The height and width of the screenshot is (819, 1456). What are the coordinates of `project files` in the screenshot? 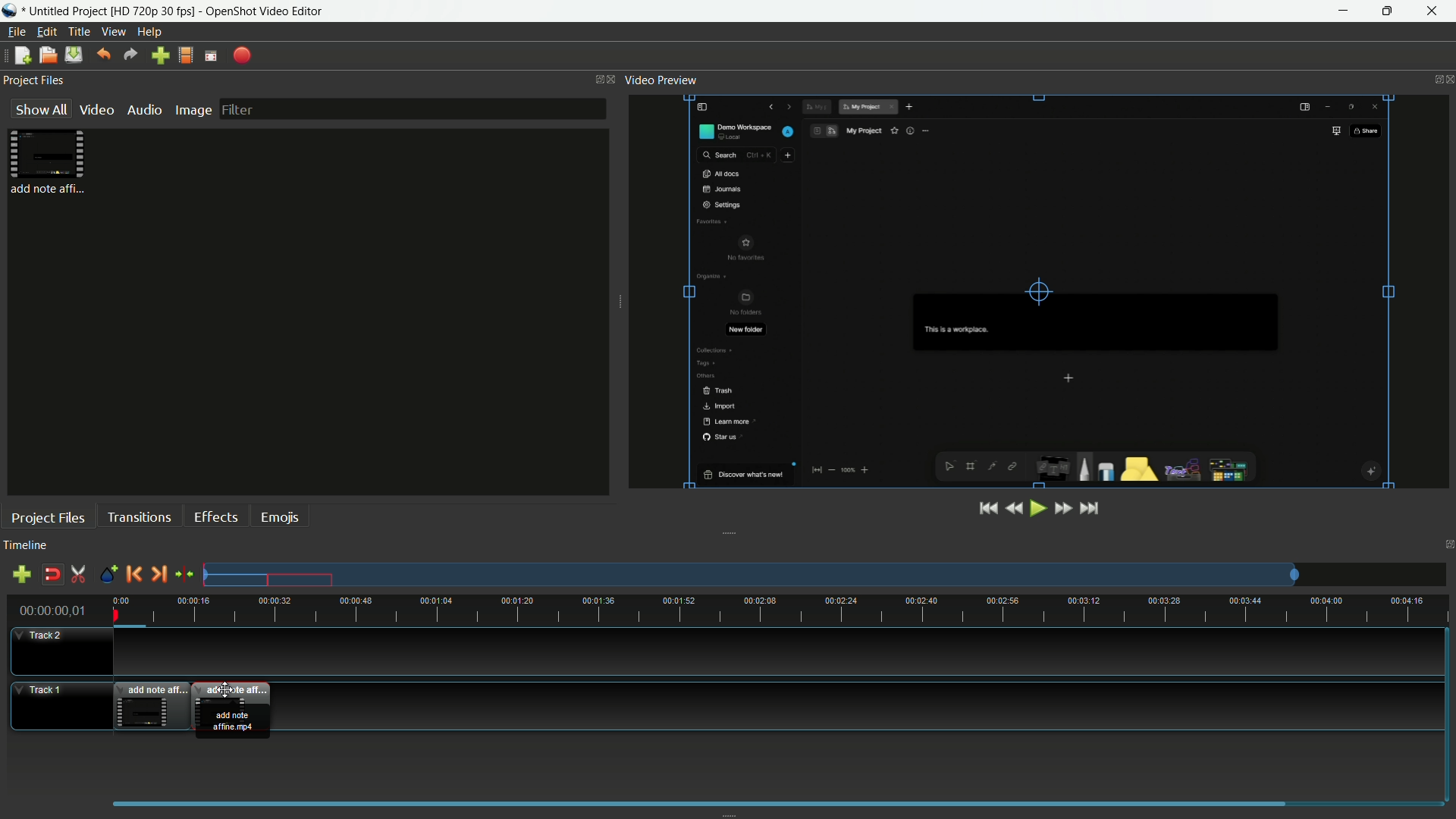 It's located at (49, 518).